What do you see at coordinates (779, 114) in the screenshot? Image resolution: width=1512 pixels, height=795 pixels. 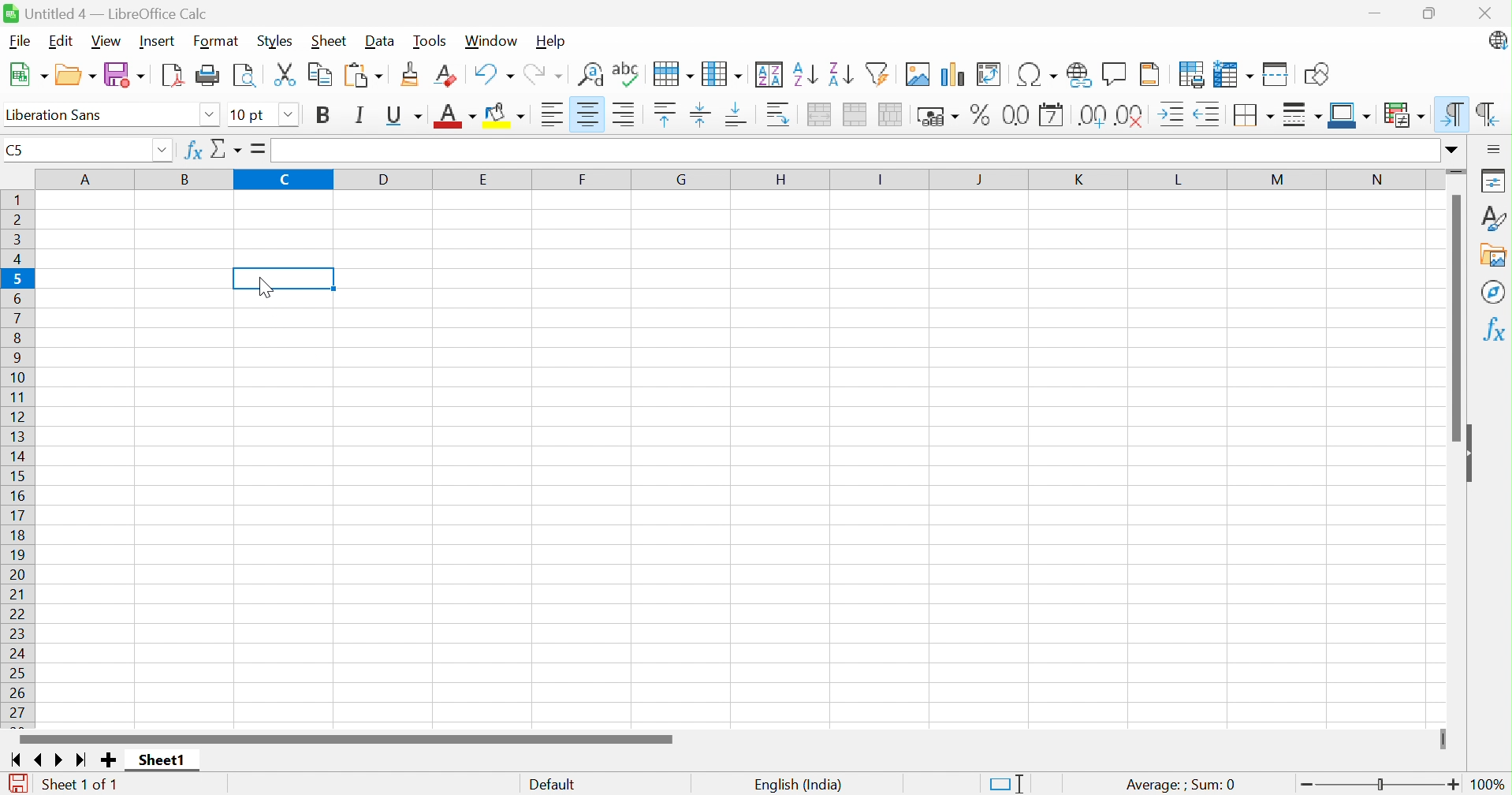 I see `Wrap Text` at bounding box center [779, 114].